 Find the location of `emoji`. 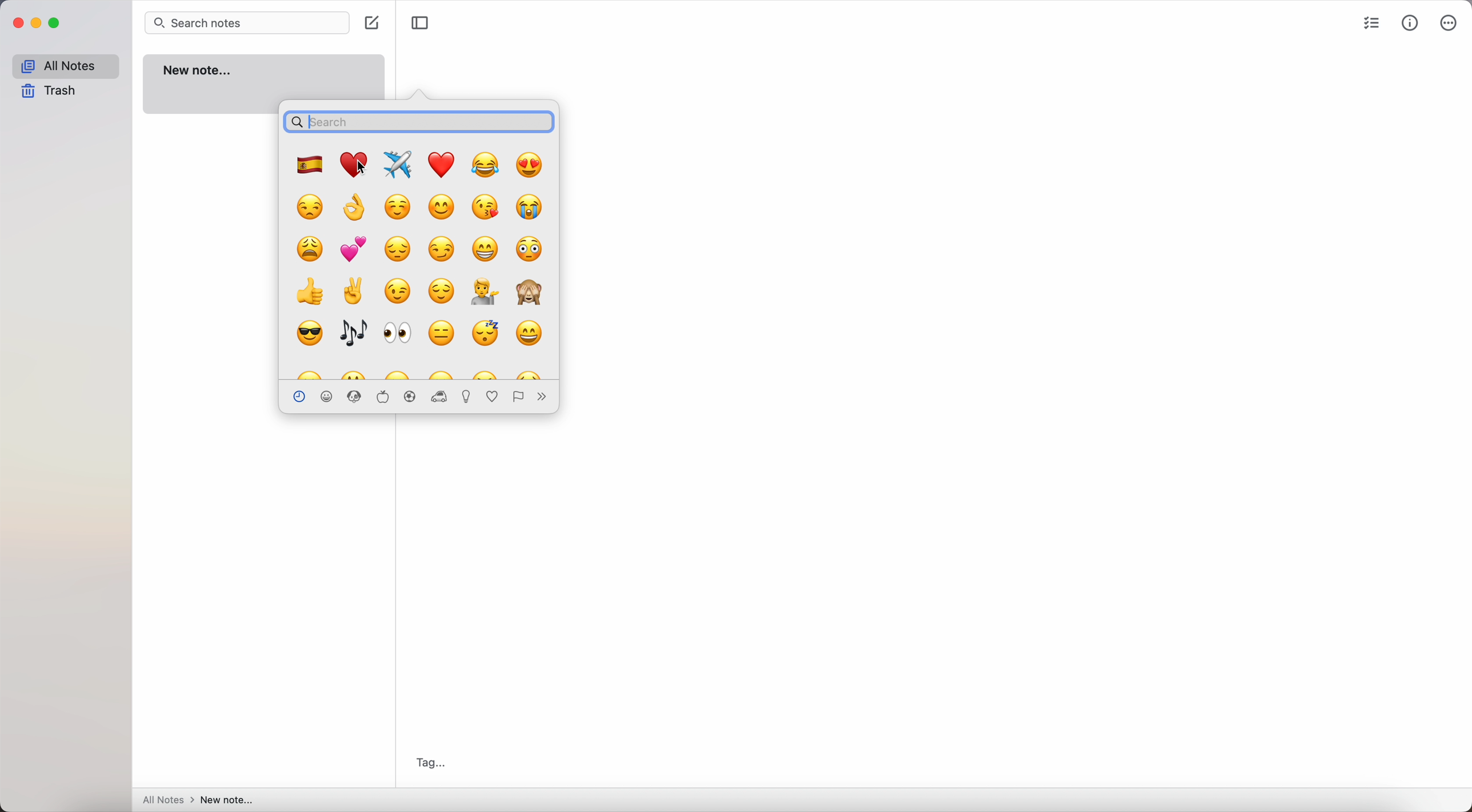

emoji is located at coordinates (445, 291).